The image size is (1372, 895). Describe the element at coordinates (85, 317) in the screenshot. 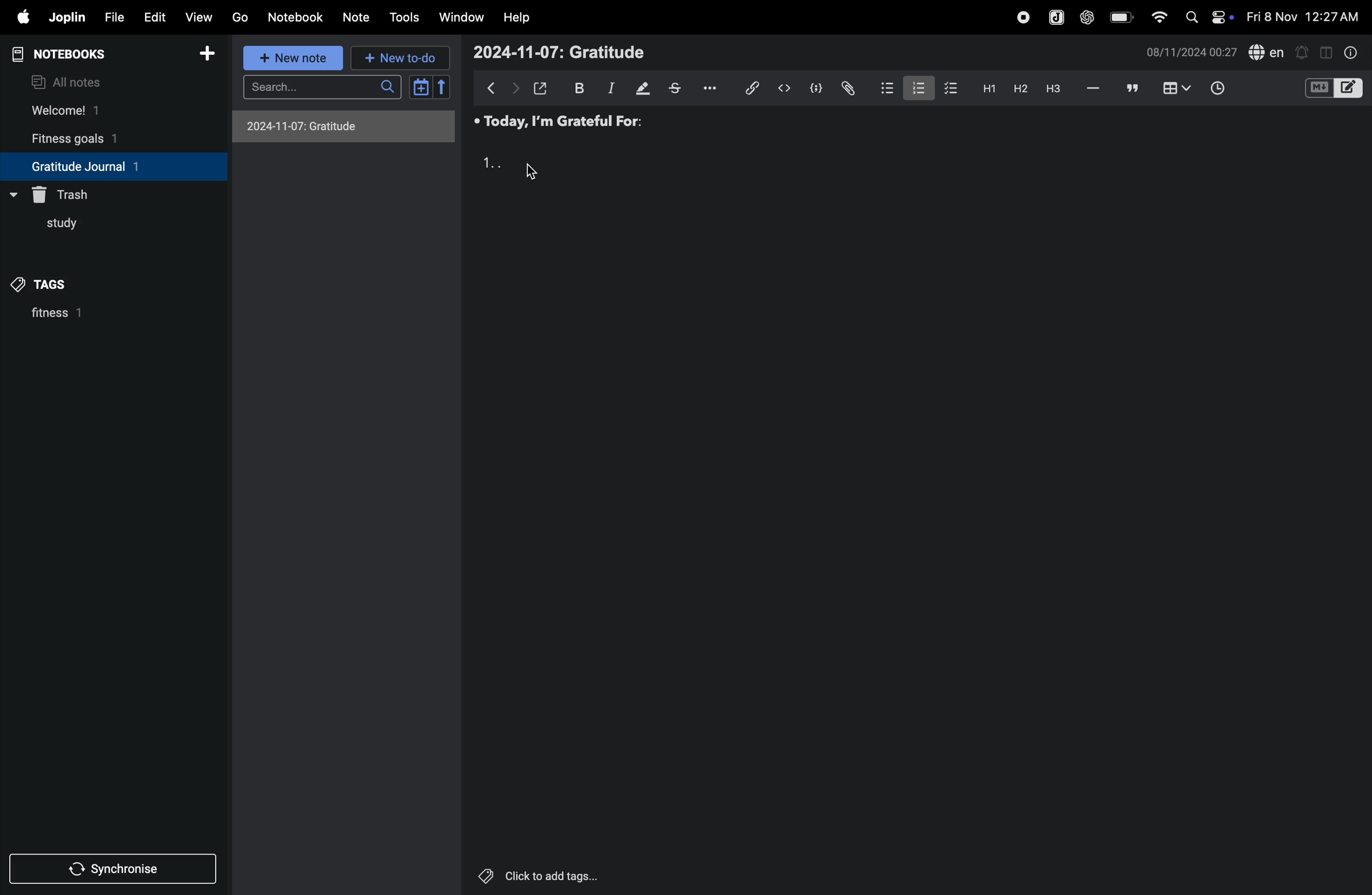

I see `fitness 1` at that location.